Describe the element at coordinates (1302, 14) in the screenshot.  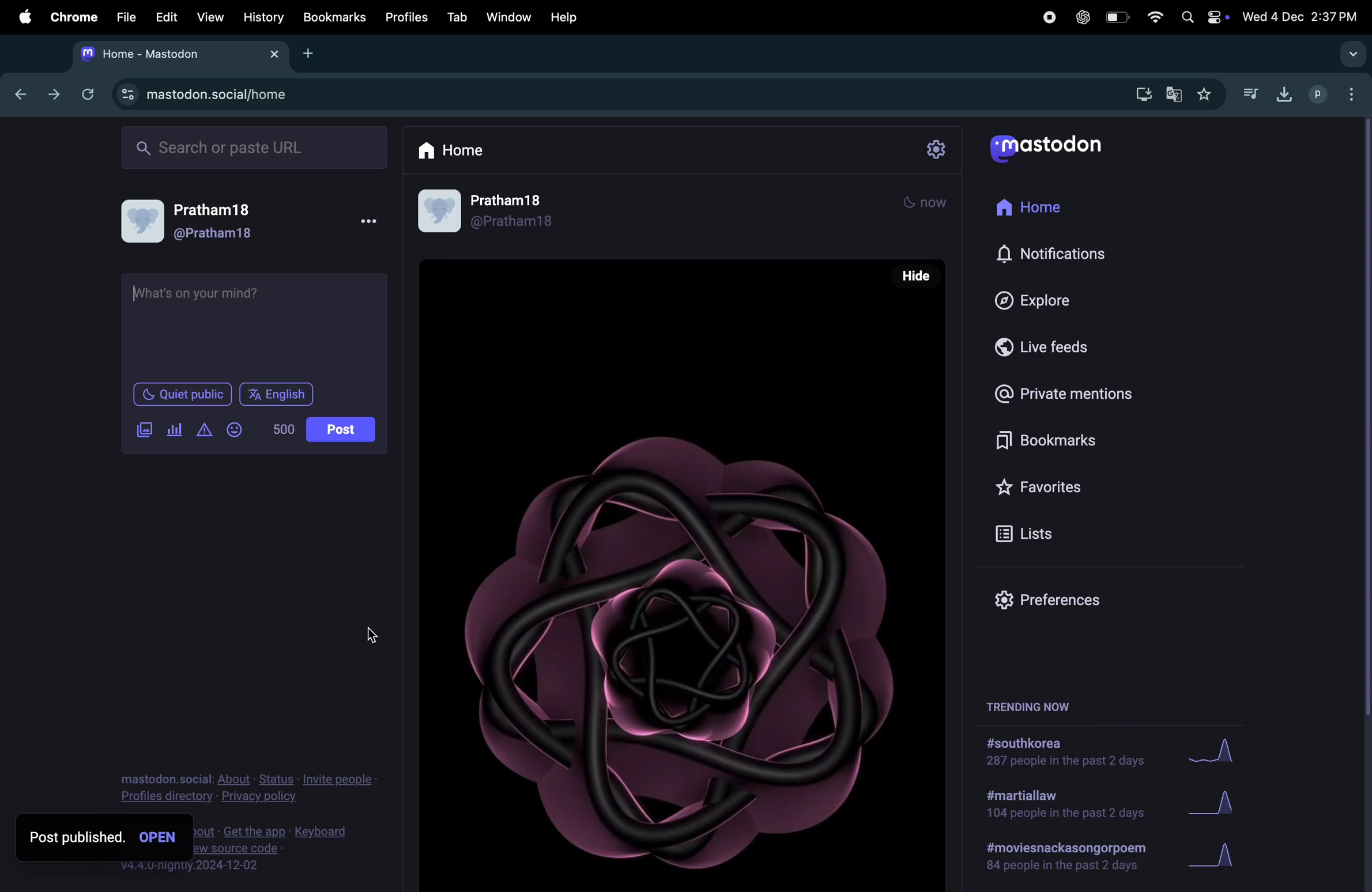
I see `date and time` at that location.